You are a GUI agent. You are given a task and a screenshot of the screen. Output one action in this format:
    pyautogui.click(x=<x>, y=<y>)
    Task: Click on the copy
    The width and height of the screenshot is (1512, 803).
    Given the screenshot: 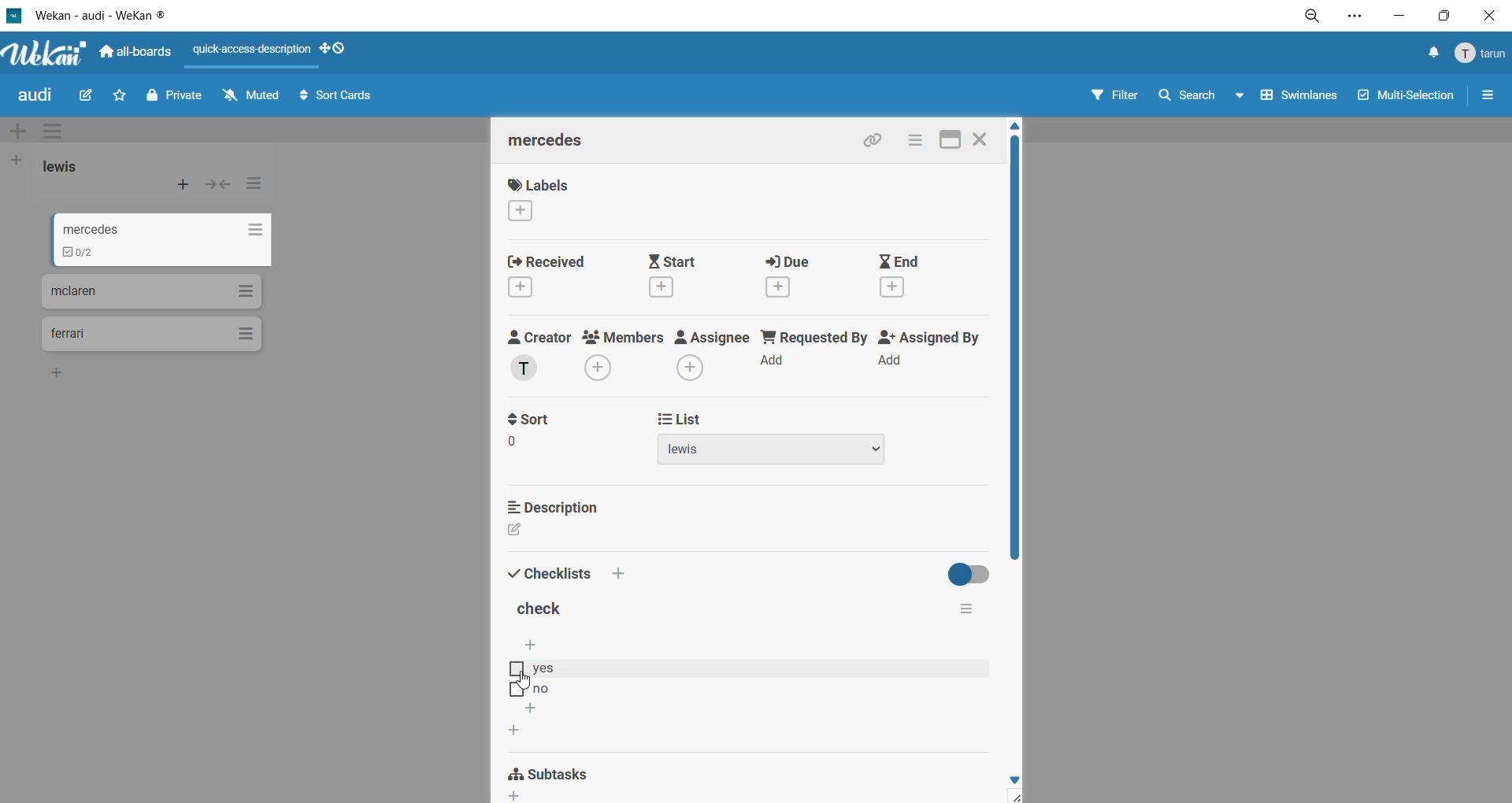 What is the action you would take?
    pyautogui.click(x=880, y=141)
    